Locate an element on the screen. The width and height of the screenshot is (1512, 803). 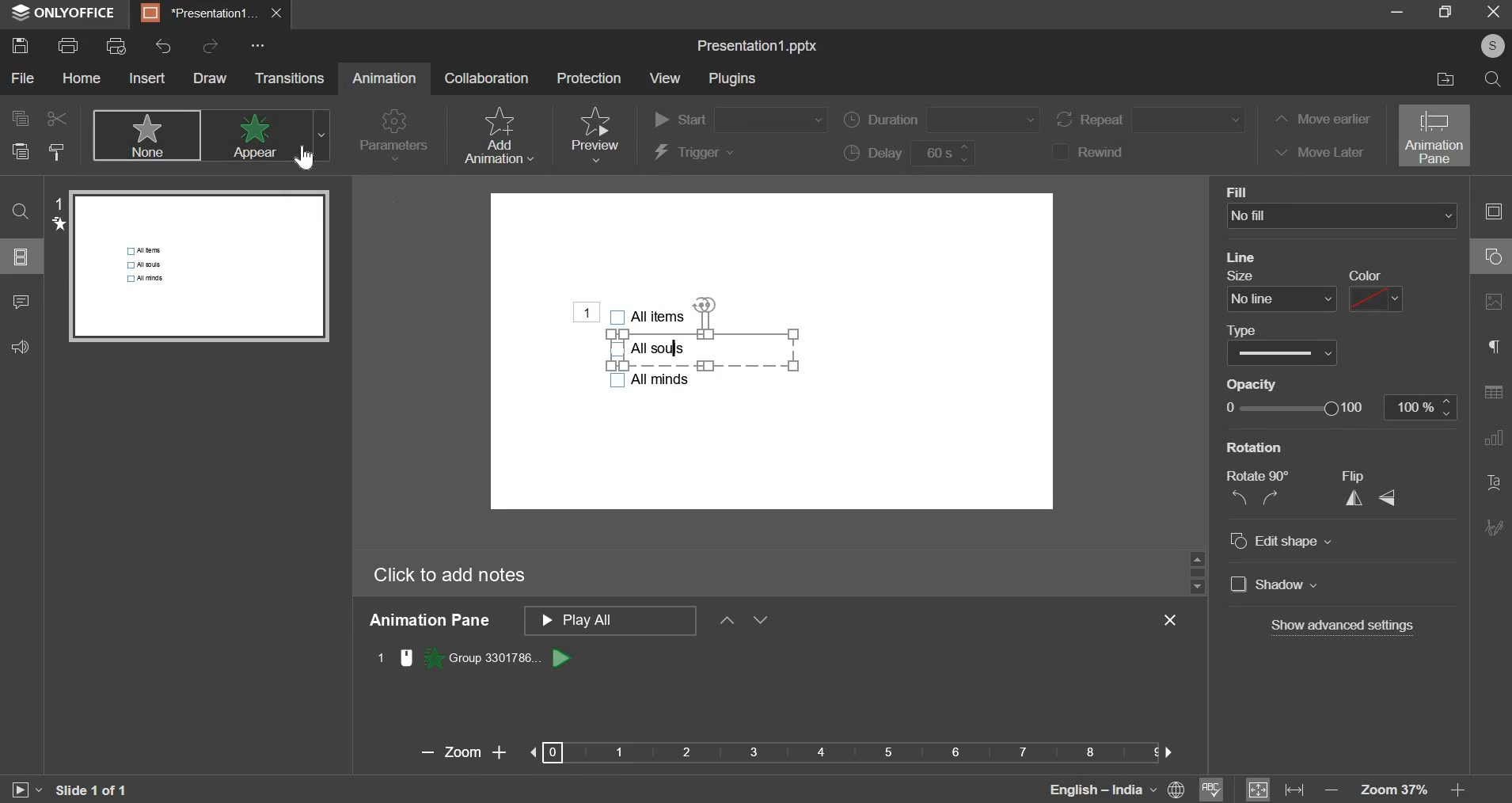
flip is located at coordinates (1370, 498).